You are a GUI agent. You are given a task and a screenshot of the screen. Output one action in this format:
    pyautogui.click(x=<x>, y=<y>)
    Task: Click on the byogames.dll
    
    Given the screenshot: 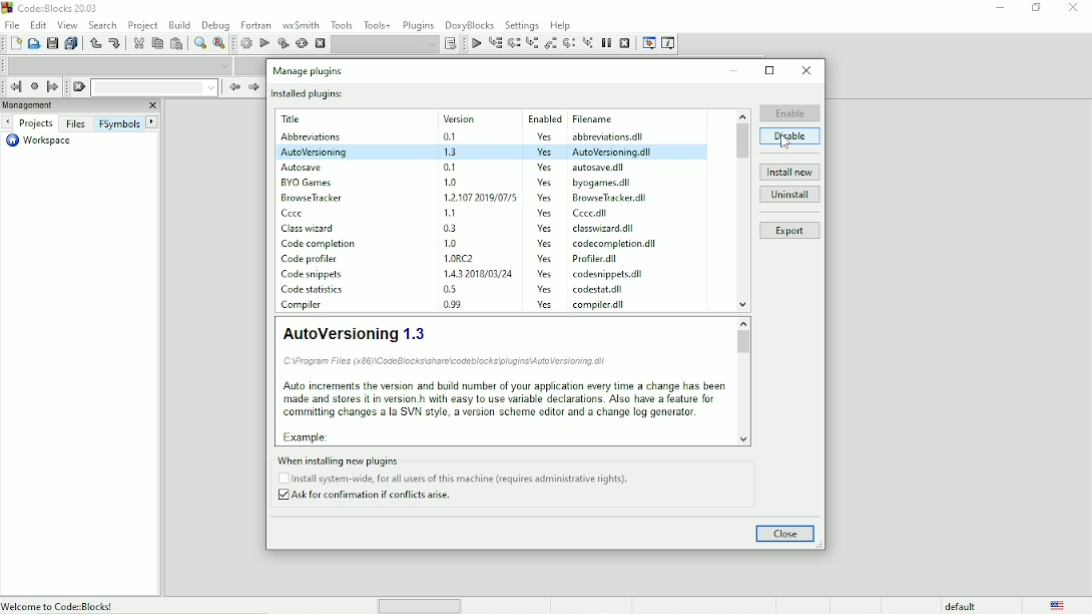 What is the action you would take?
    pyautogui.click(x=603, y=182)
    